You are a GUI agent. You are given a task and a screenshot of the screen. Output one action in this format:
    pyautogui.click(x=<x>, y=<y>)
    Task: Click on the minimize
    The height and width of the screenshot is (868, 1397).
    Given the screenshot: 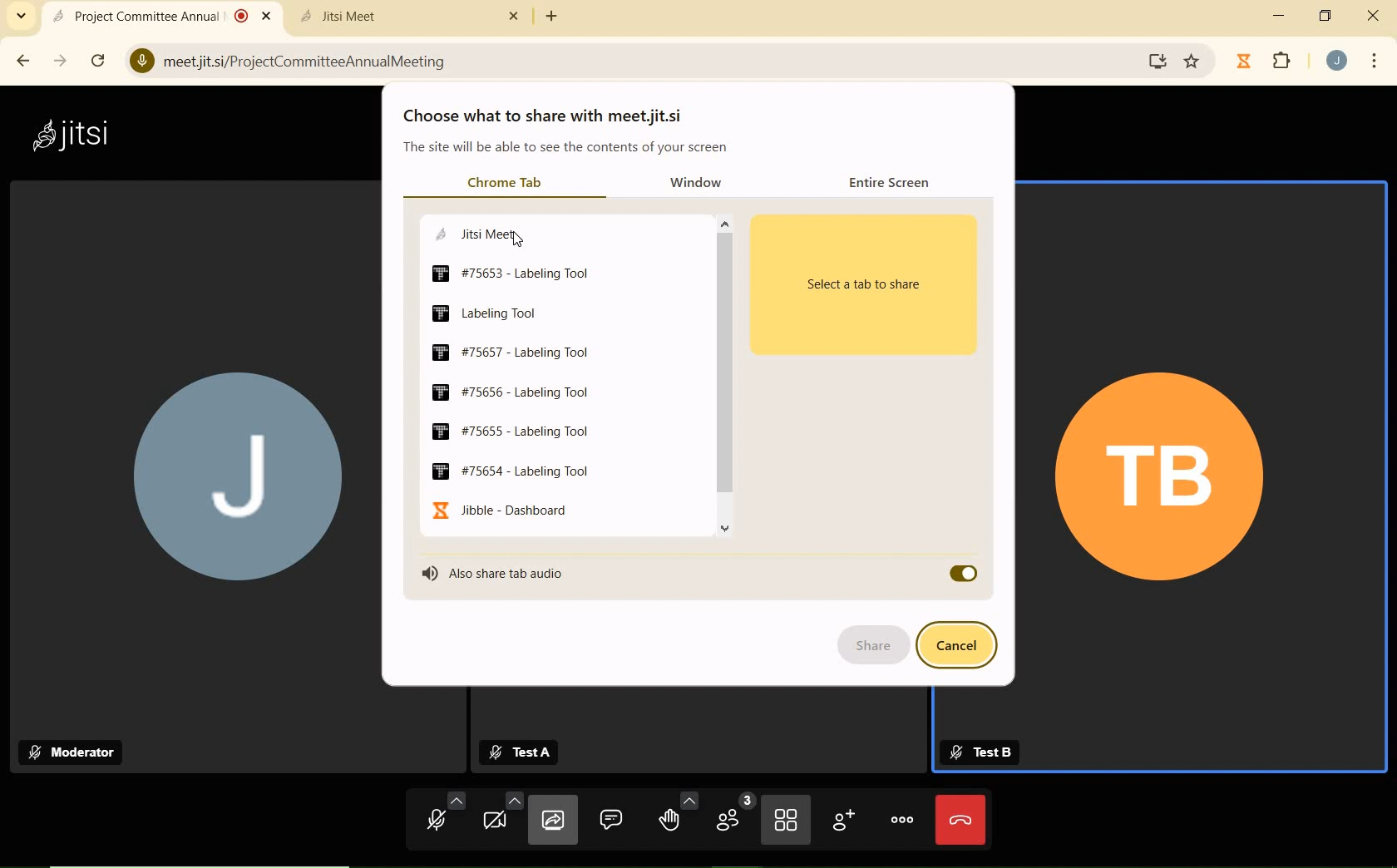 What is the action you would take?
    pyautogui.click(x=1279, y=16)
    